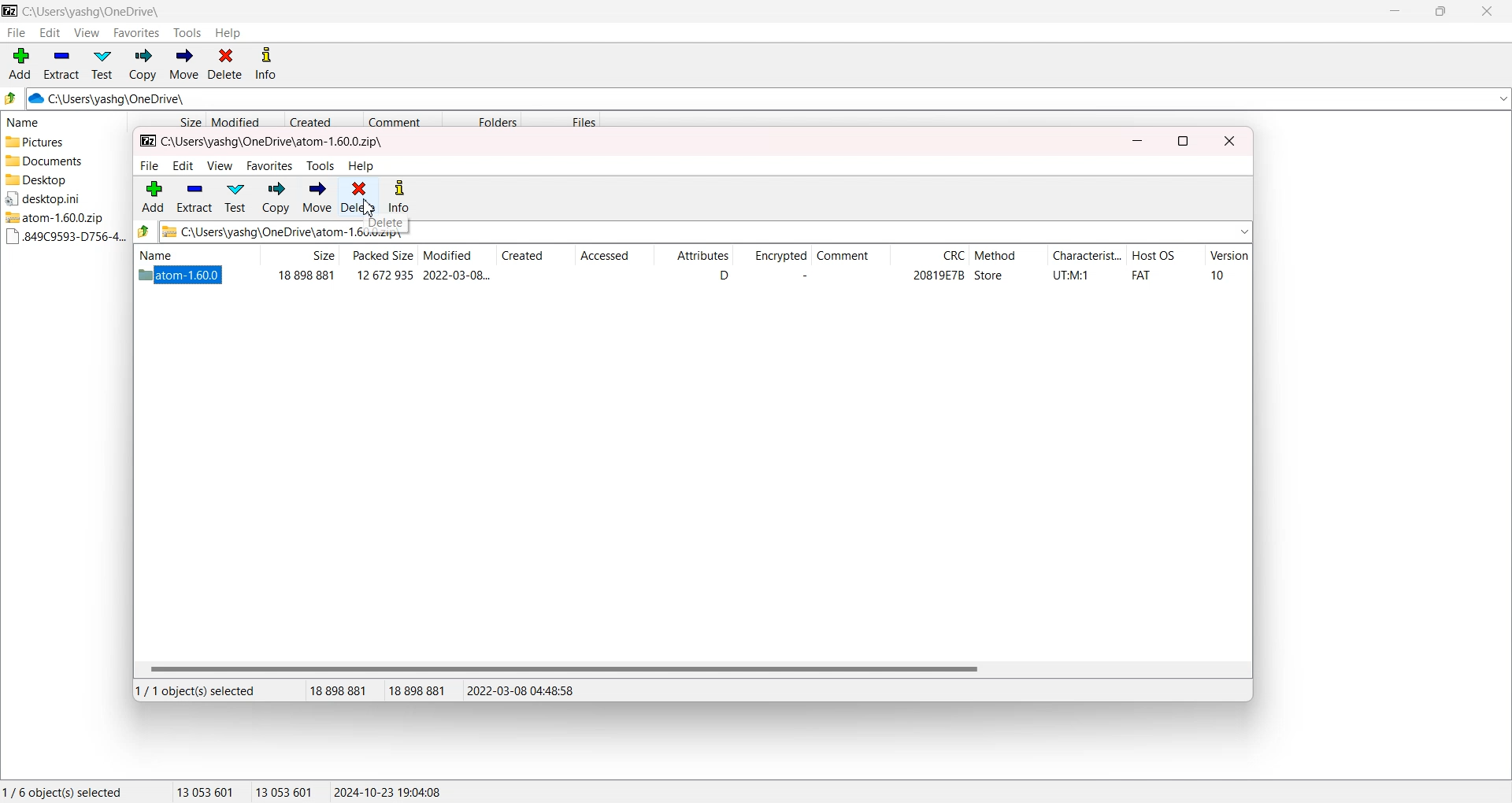  I want to click on 18 898 881, so click(423, 691).